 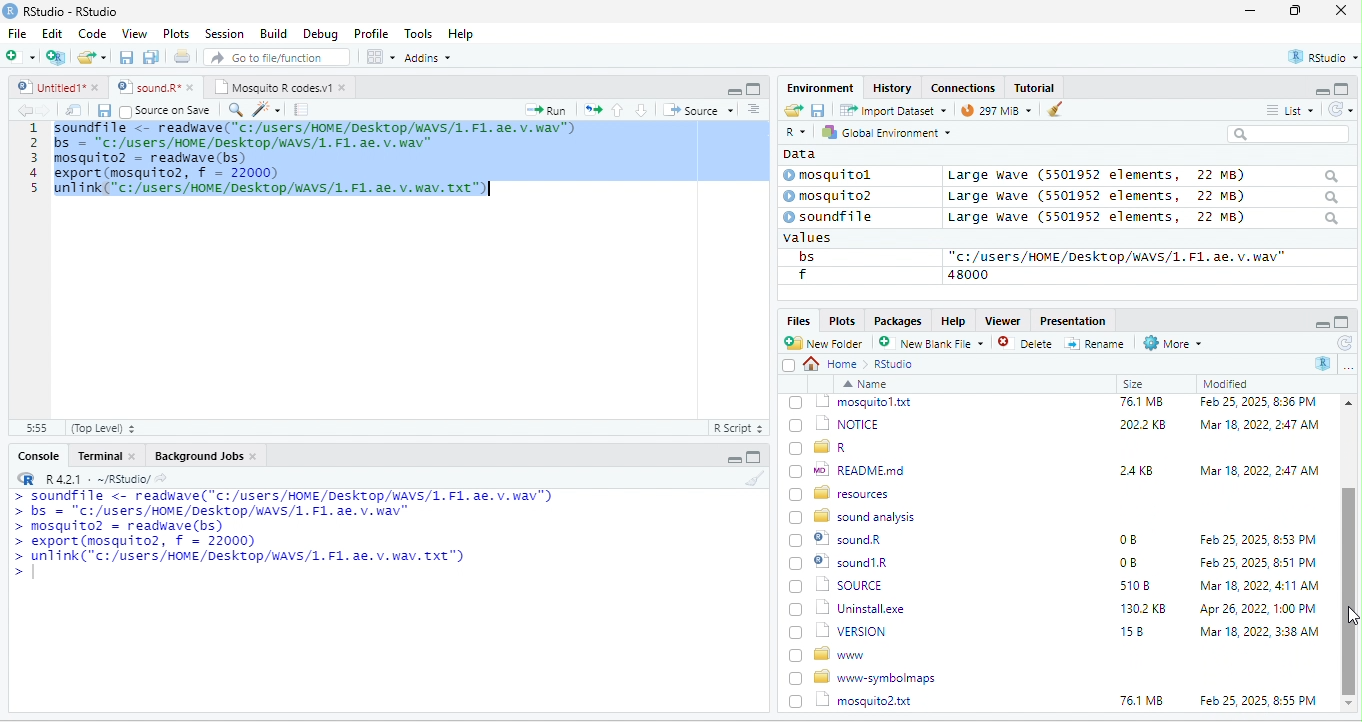 I want to click on Files, so click(x=795, y=320).